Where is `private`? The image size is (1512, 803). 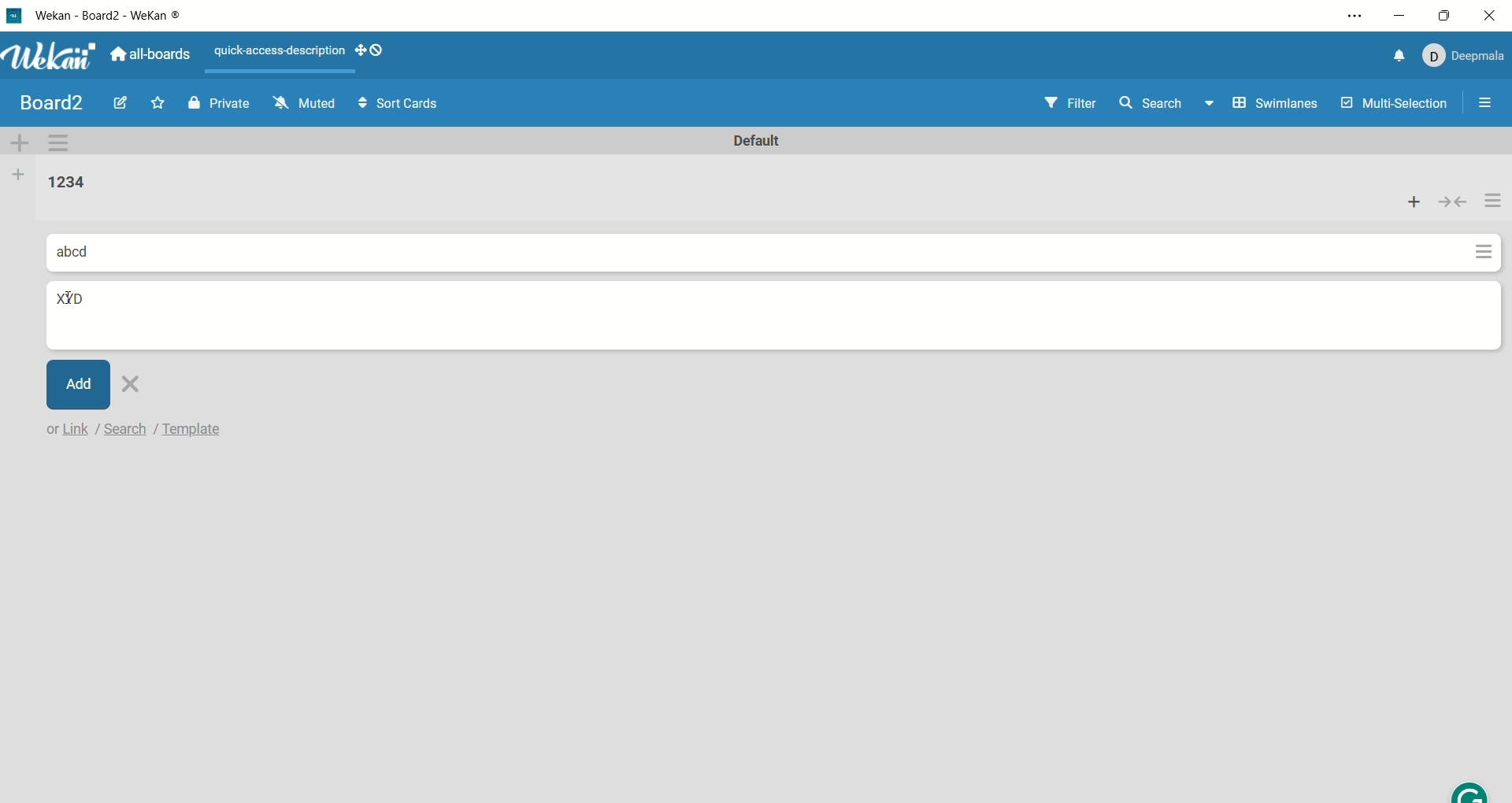
private is located at coordinates (217, 101).